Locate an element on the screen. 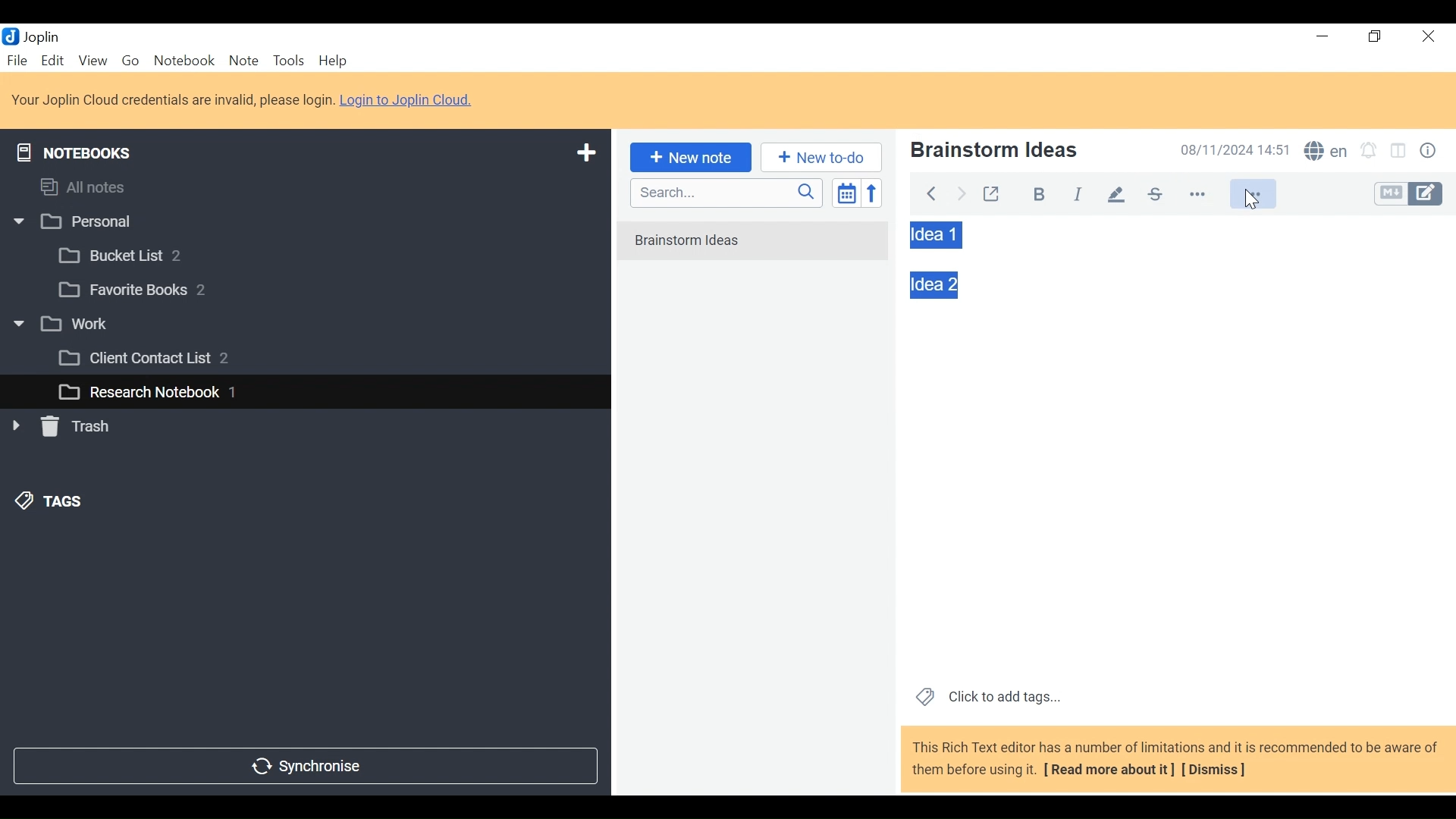 This screenshot has height=819, width=1456. Go is located at coordinates (130, 59).